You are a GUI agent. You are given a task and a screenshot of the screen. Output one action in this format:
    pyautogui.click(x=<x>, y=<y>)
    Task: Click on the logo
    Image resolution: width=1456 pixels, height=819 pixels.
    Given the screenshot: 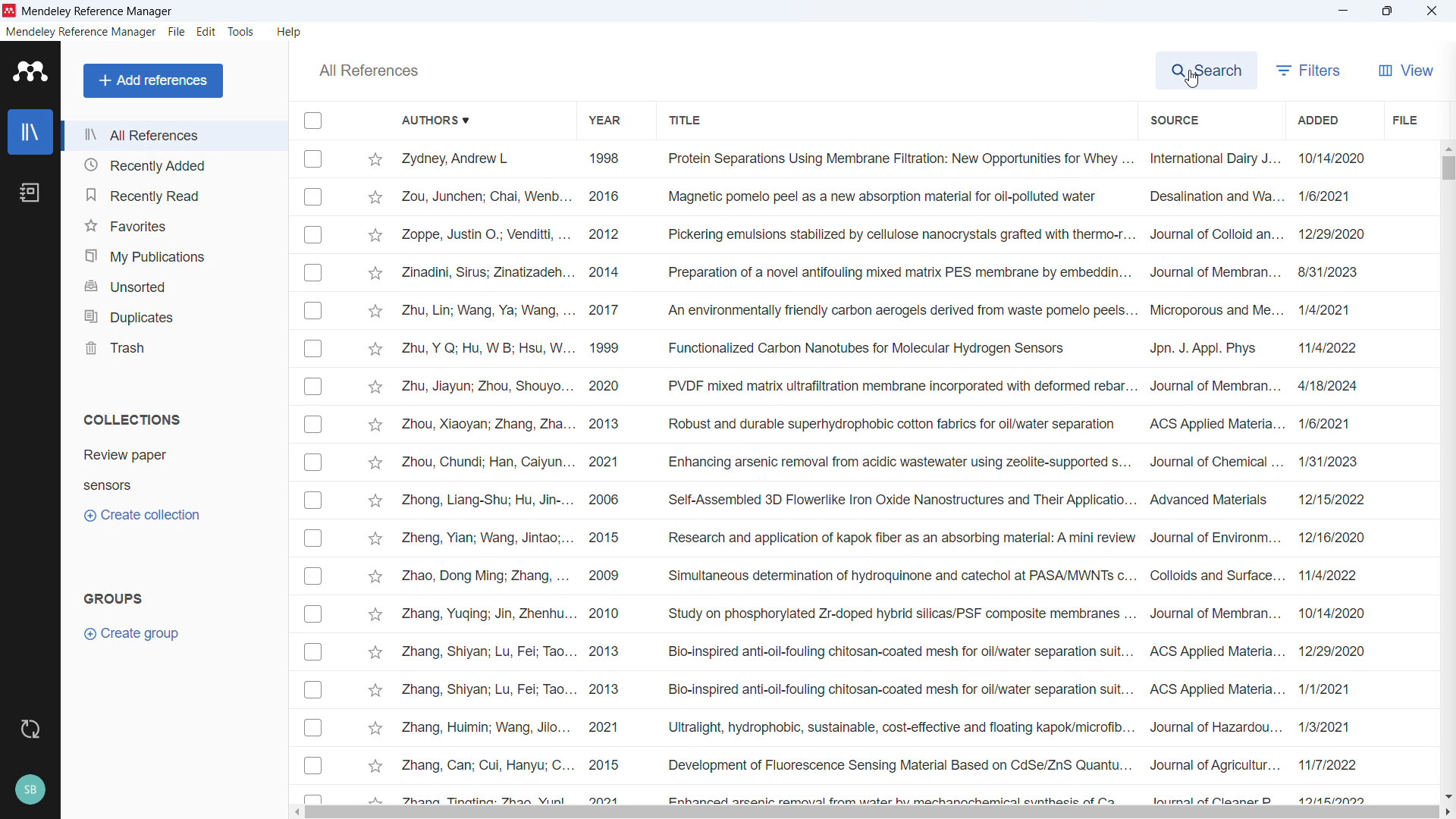 What is the action you would take?
    pyautogui.click(x=9, y=11)
    